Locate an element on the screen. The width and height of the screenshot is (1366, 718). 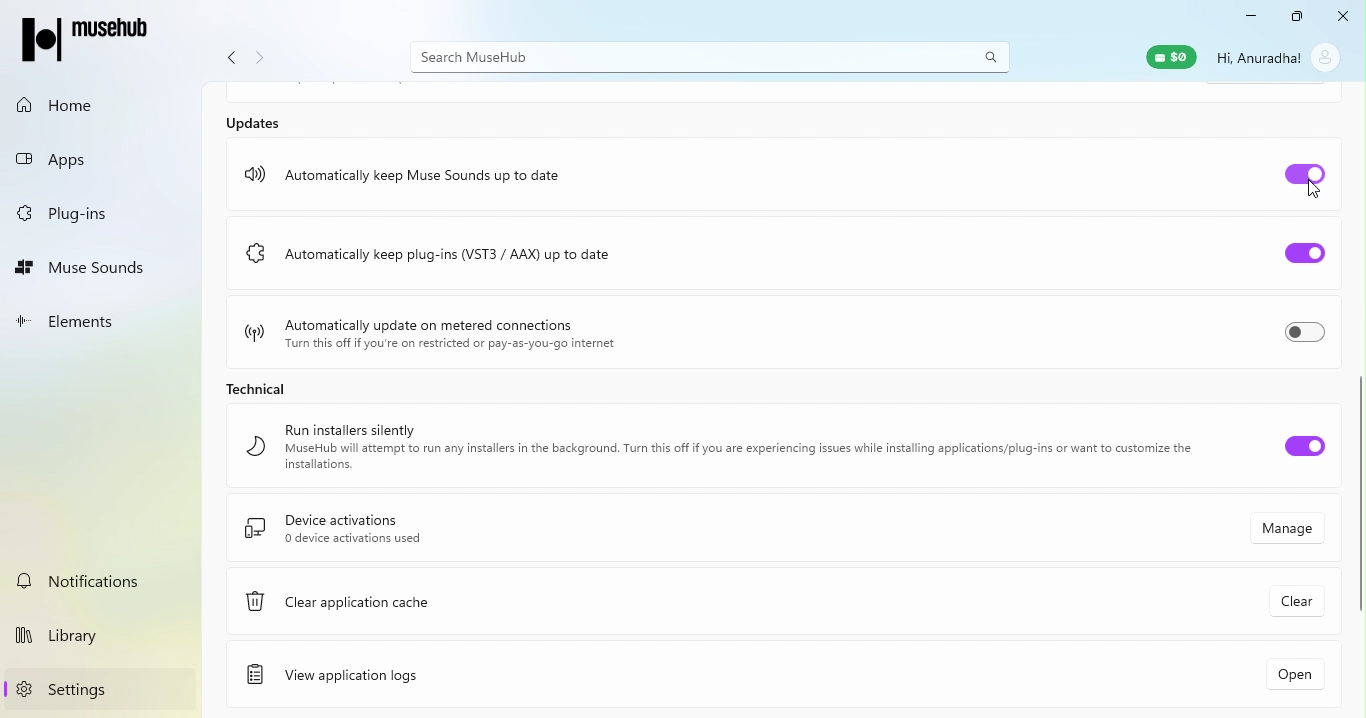
Plug-ins is located at coordinates (91, 212).